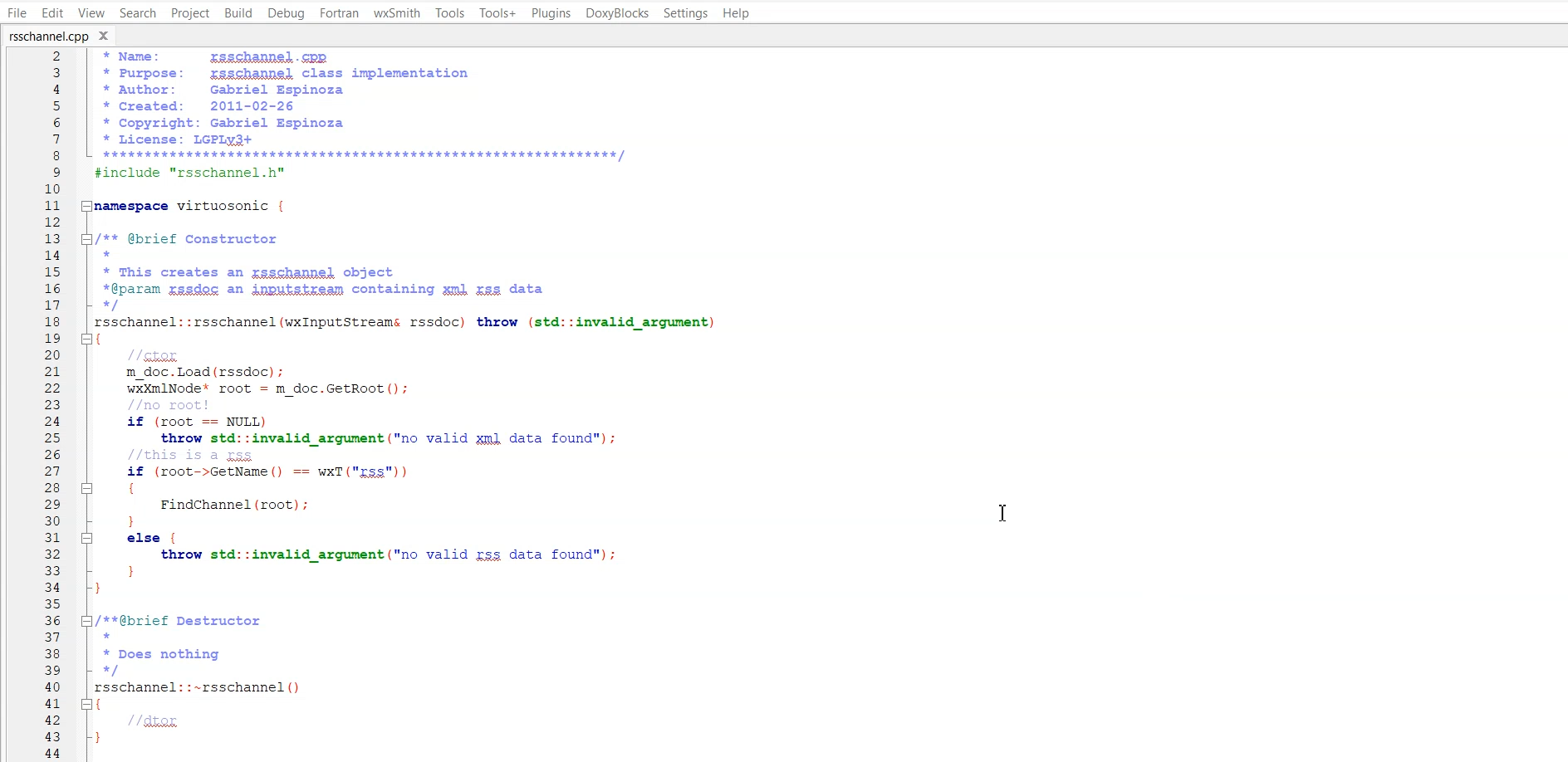 This screenshot has width=1568, height=762. What do you see at coordinates (106, 34) in the screenshot?
I see `Close` at bounding box center [106, 34].